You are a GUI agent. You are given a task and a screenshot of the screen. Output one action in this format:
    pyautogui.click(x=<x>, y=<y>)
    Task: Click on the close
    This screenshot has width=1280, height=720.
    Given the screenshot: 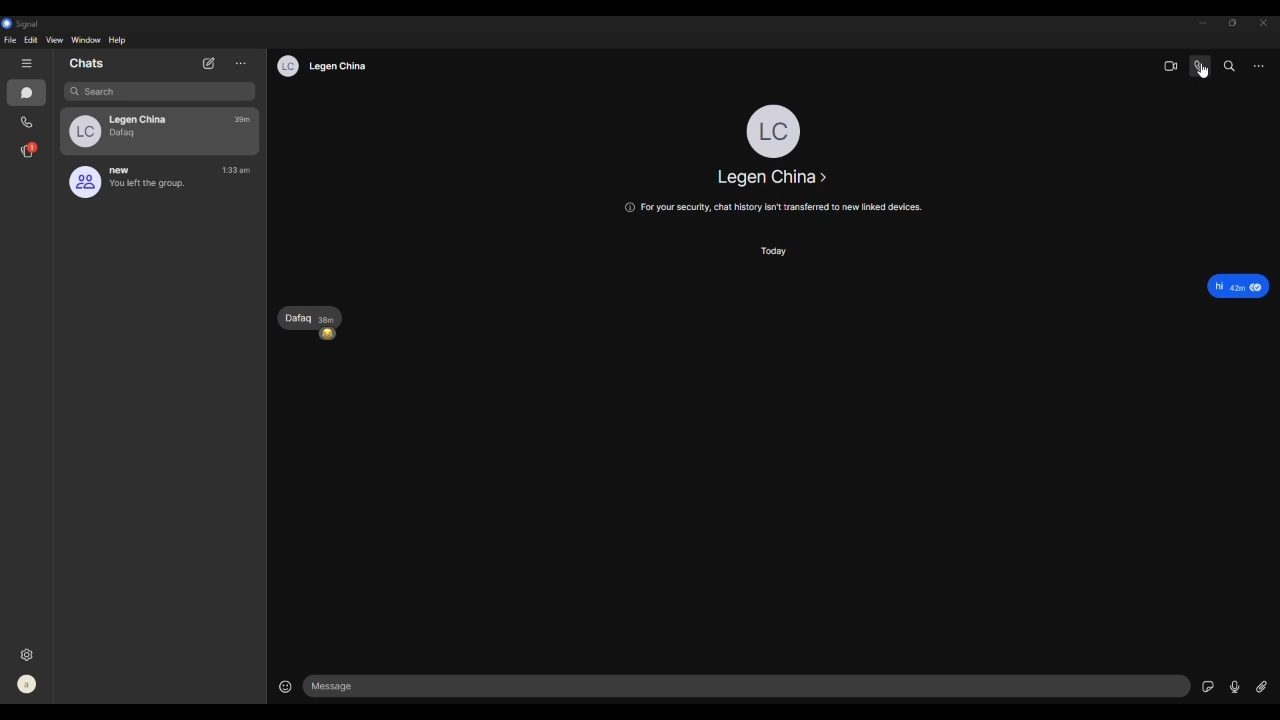 What is the action you would take?
    pyautogui.click(x=1265, y=24)
    